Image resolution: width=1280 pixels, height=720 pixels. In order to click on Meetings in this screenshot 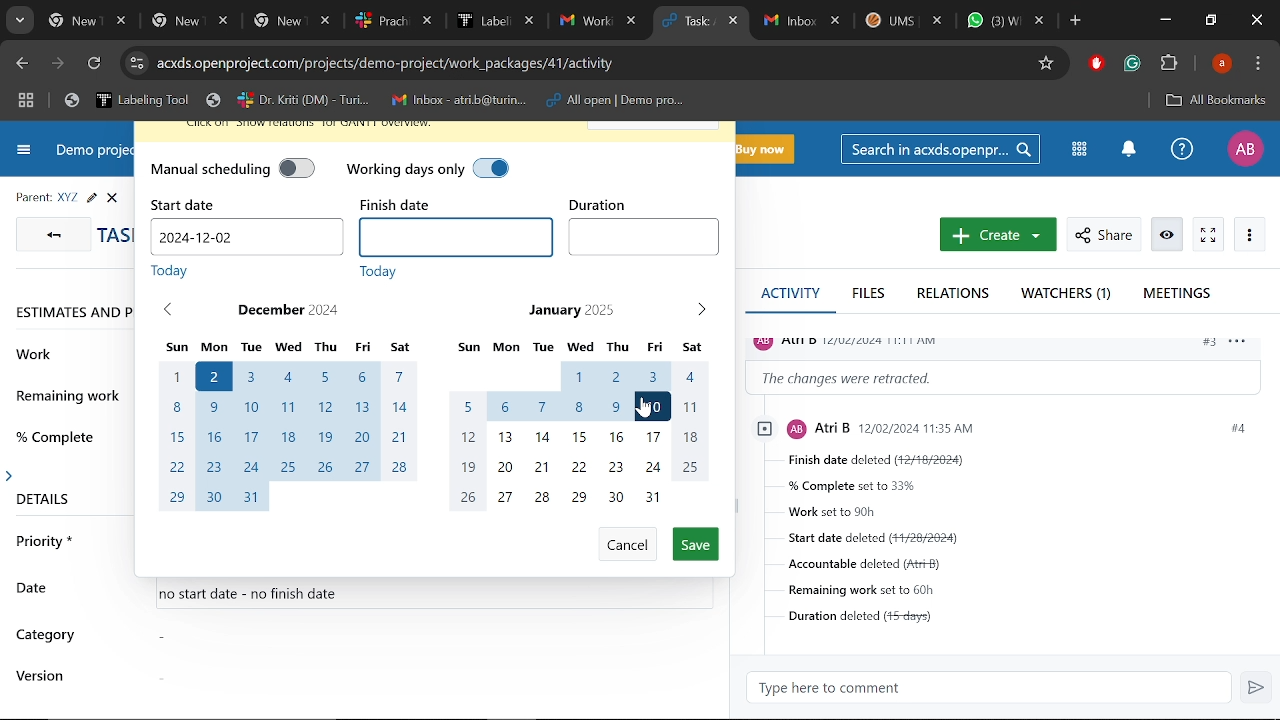, I will do `click(1179, 296)`.